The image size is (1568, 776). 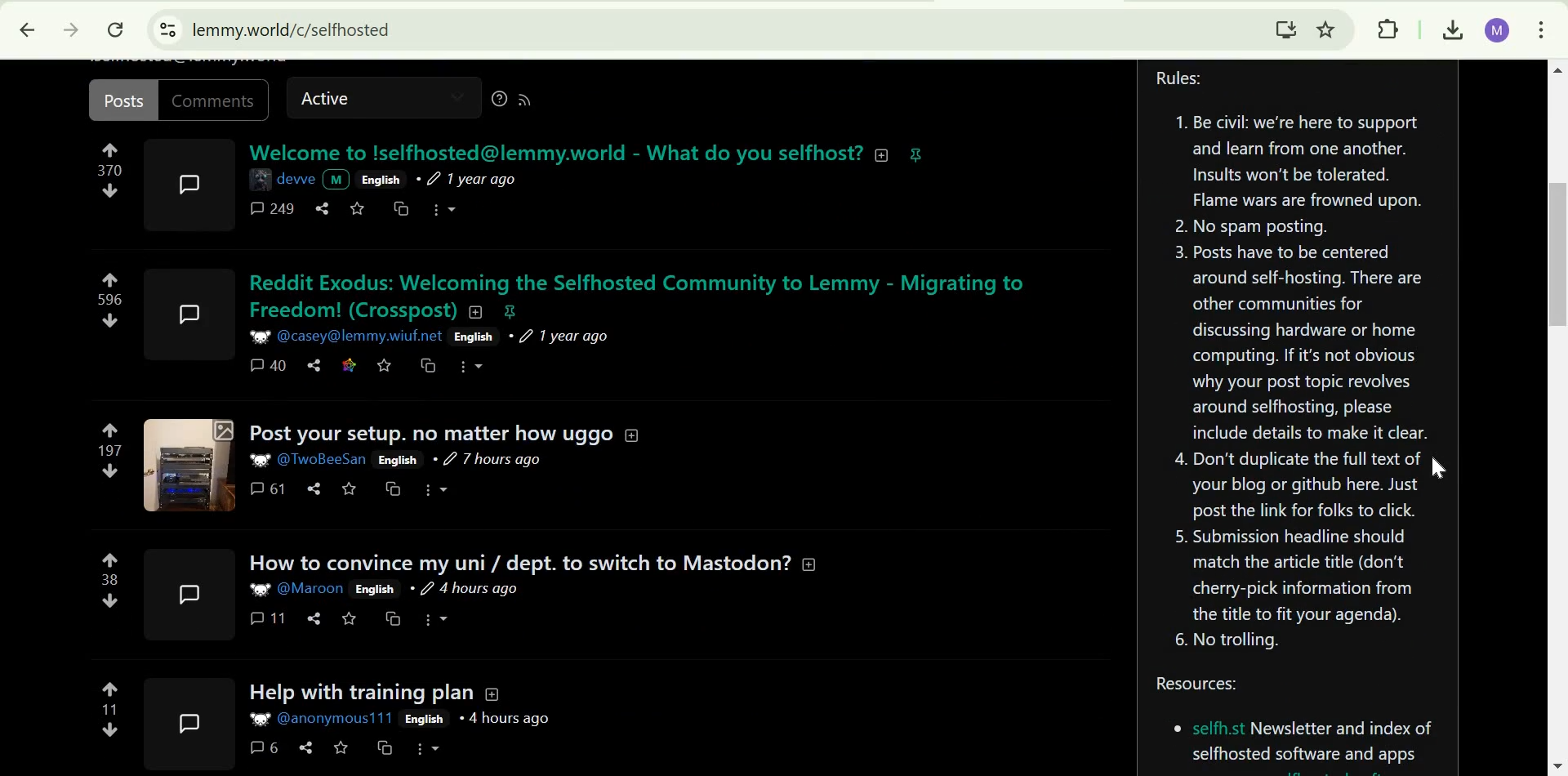 I want to click on 11 points, so click(x=110, y=709).